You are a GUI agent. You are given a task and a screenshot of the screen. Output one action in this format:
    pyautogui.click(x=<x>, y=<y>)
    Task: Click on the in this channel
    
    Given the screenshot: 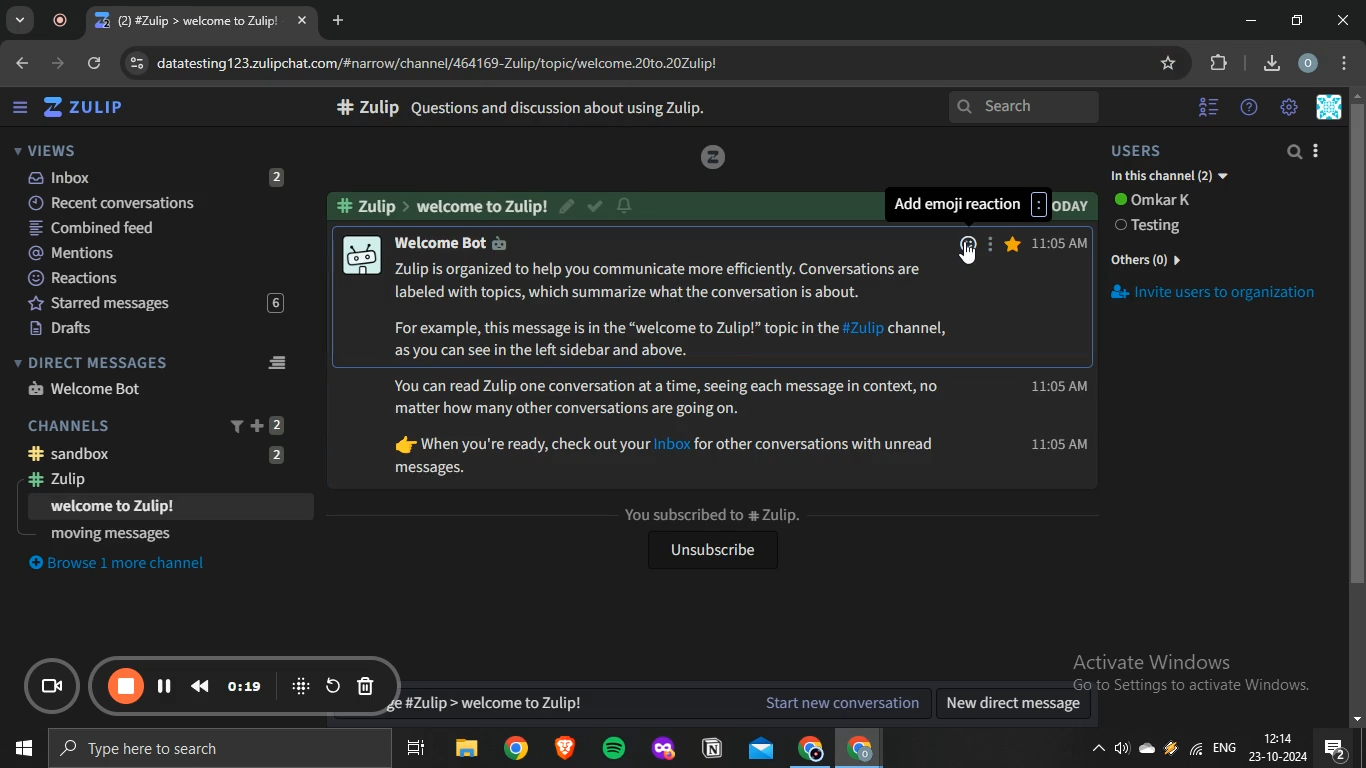 What is the action you would take?
    pyautogui.click(x=1170, y=177)
    